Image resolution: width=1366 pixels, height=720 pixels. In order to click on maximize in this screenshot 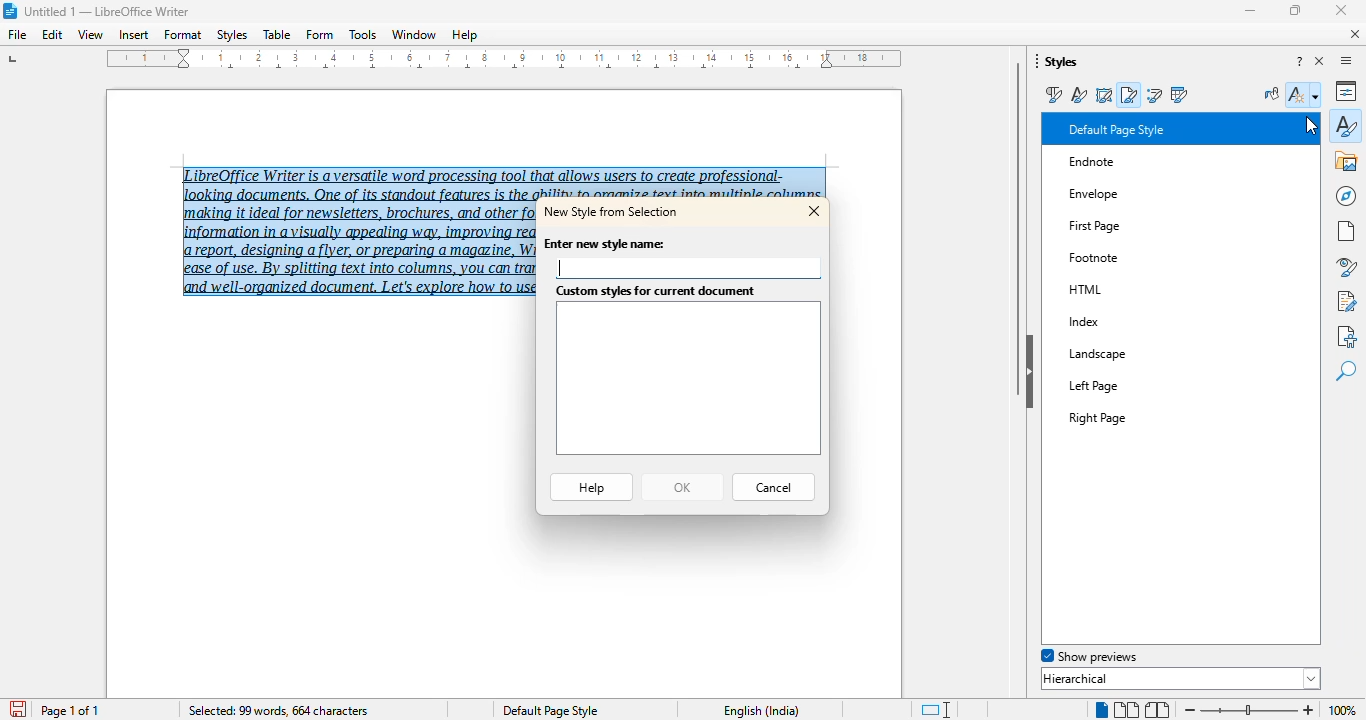, I will do `click(1294, 10)`.